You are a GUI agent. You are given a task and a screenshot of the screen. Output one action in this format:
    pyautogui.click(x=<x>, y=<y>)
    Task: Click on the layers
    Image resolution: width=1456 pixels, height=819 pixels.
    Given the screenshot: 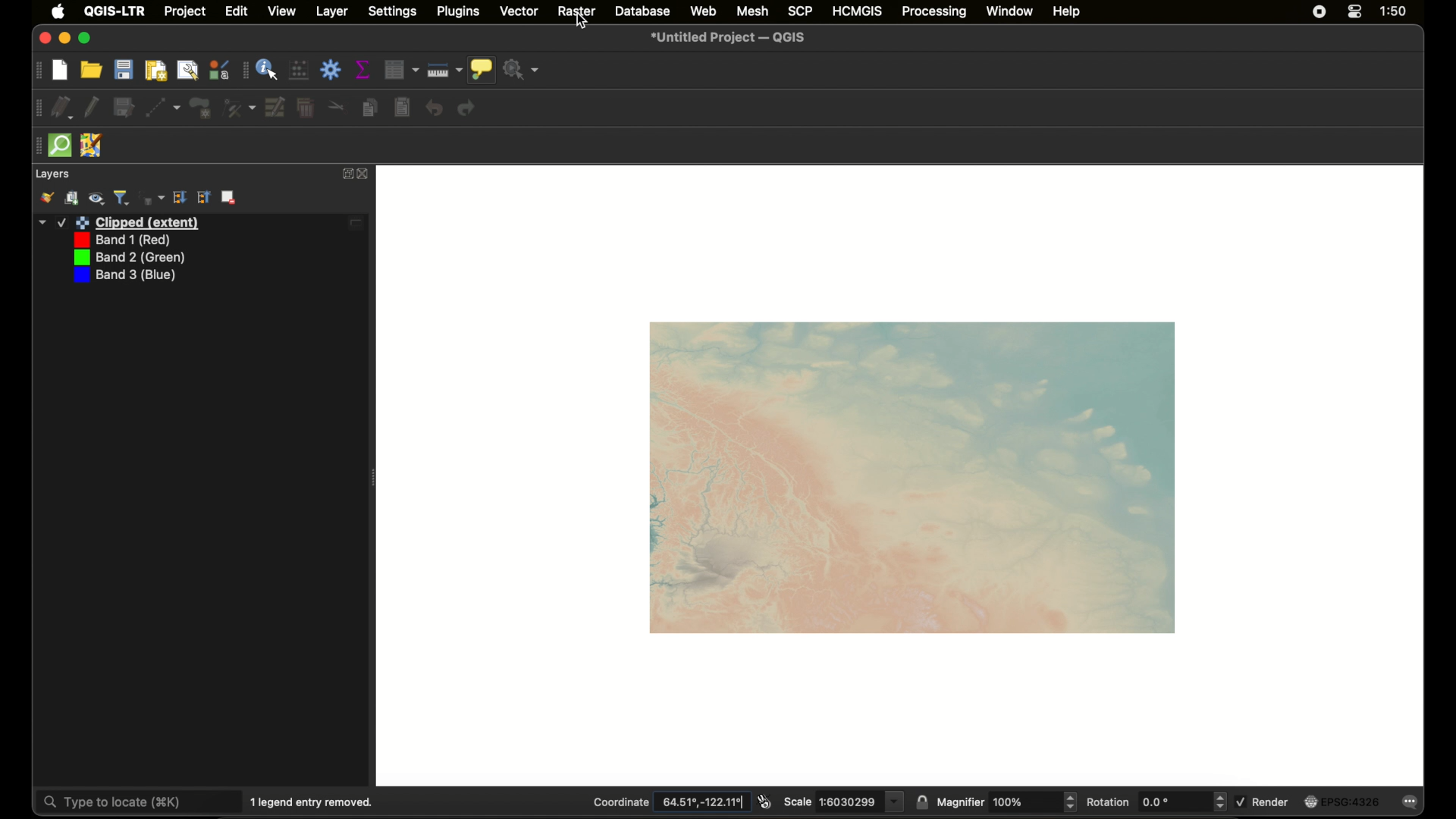 What is the action you would take?
    pyautogui.click(x=52, y=174)
    